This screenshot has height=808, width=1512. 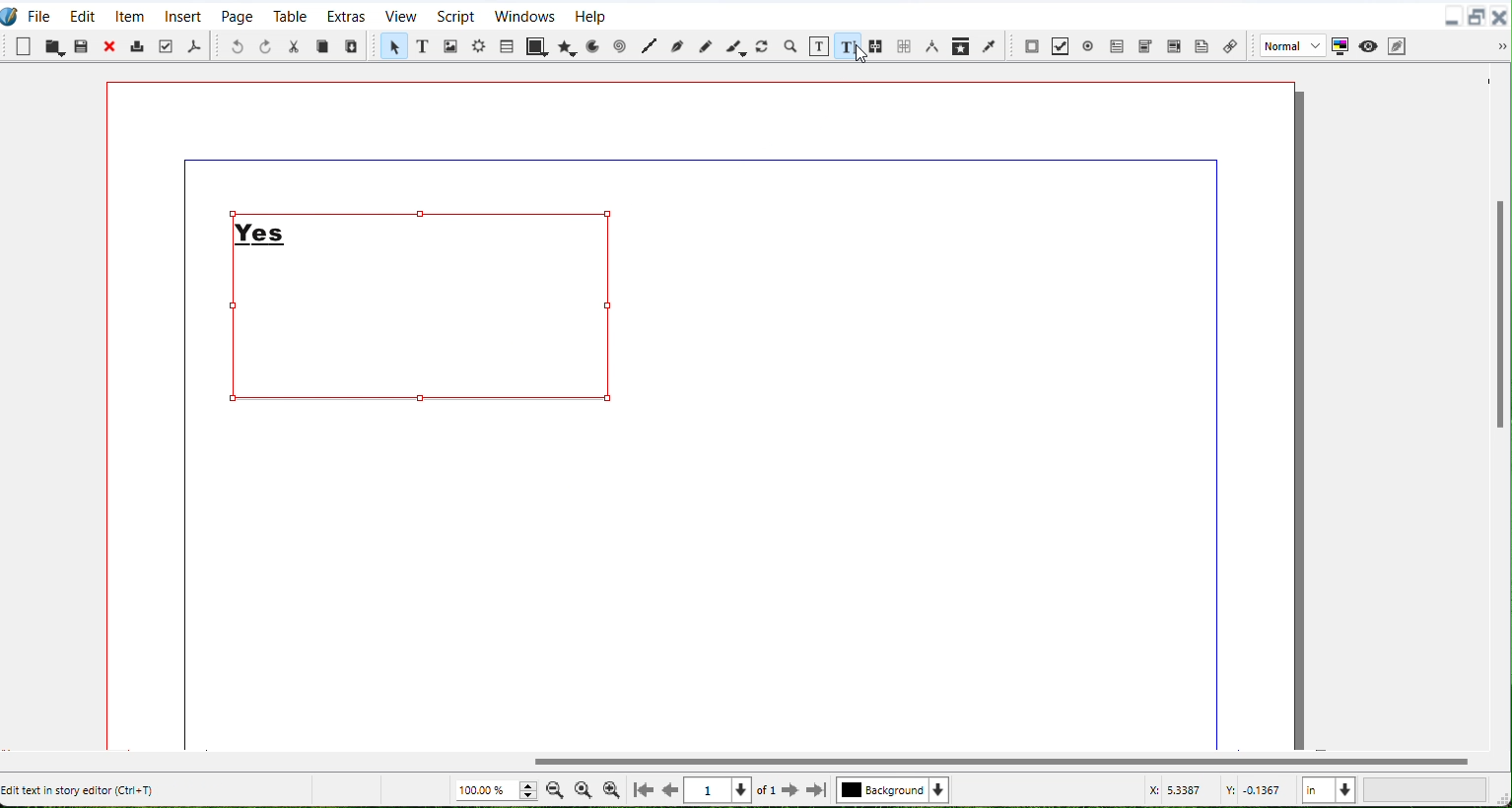 I want to click on Rotate Item, so click(x=764, y=45).